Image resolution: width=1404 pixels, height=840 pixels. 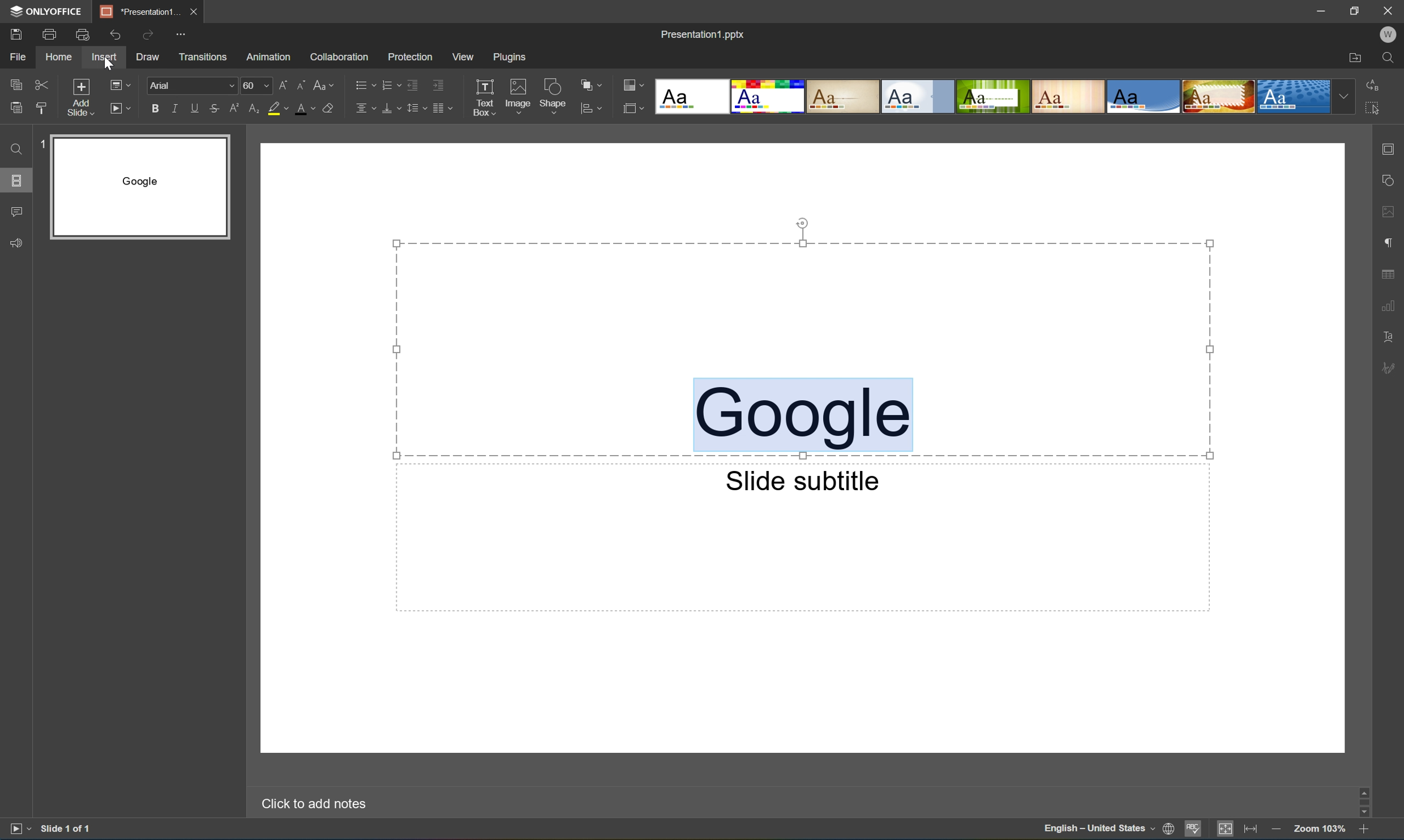 What do you see at coordinates (106, 56) in the screenshot?
I see `Insert` at bounding box center [106, 56].